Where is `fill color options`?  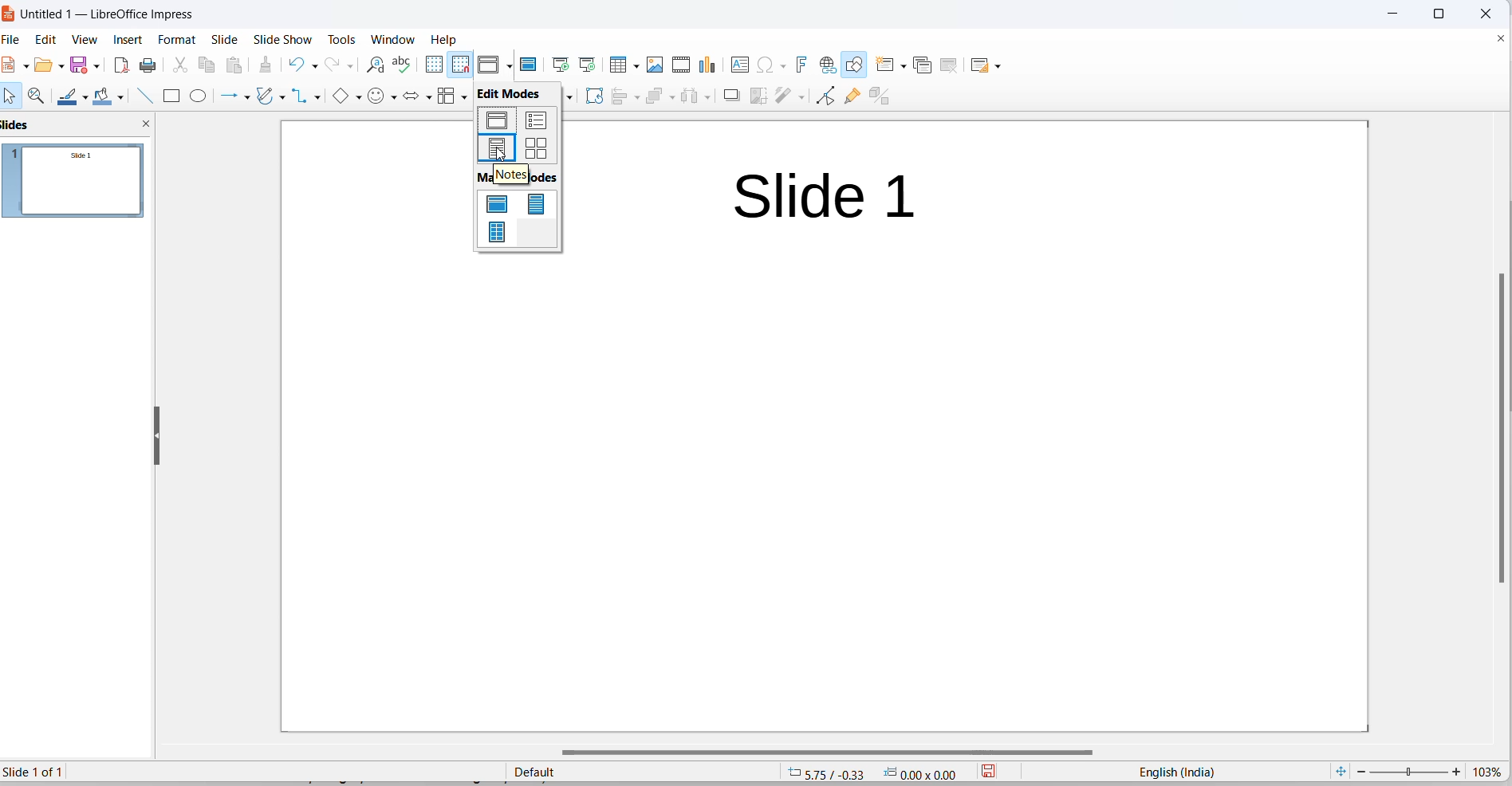 fill color options is located at coordinates (124, 96).